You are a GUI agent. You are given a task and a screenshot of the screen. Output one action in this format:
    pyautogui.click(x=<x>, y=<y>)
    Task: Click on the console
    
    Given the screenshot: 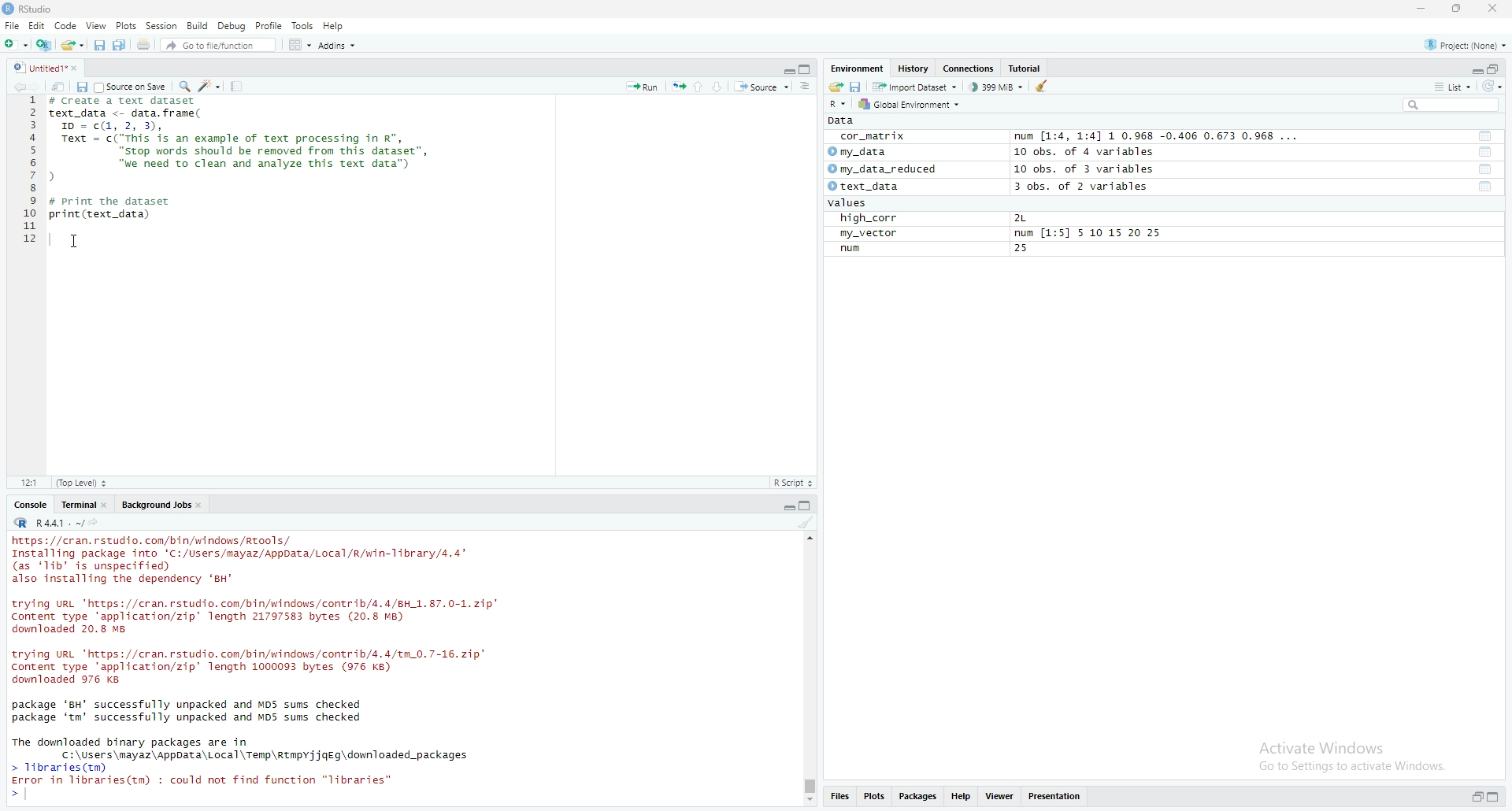 What is the action you would take?
    pyautogui.click(x=32, y=505)
    